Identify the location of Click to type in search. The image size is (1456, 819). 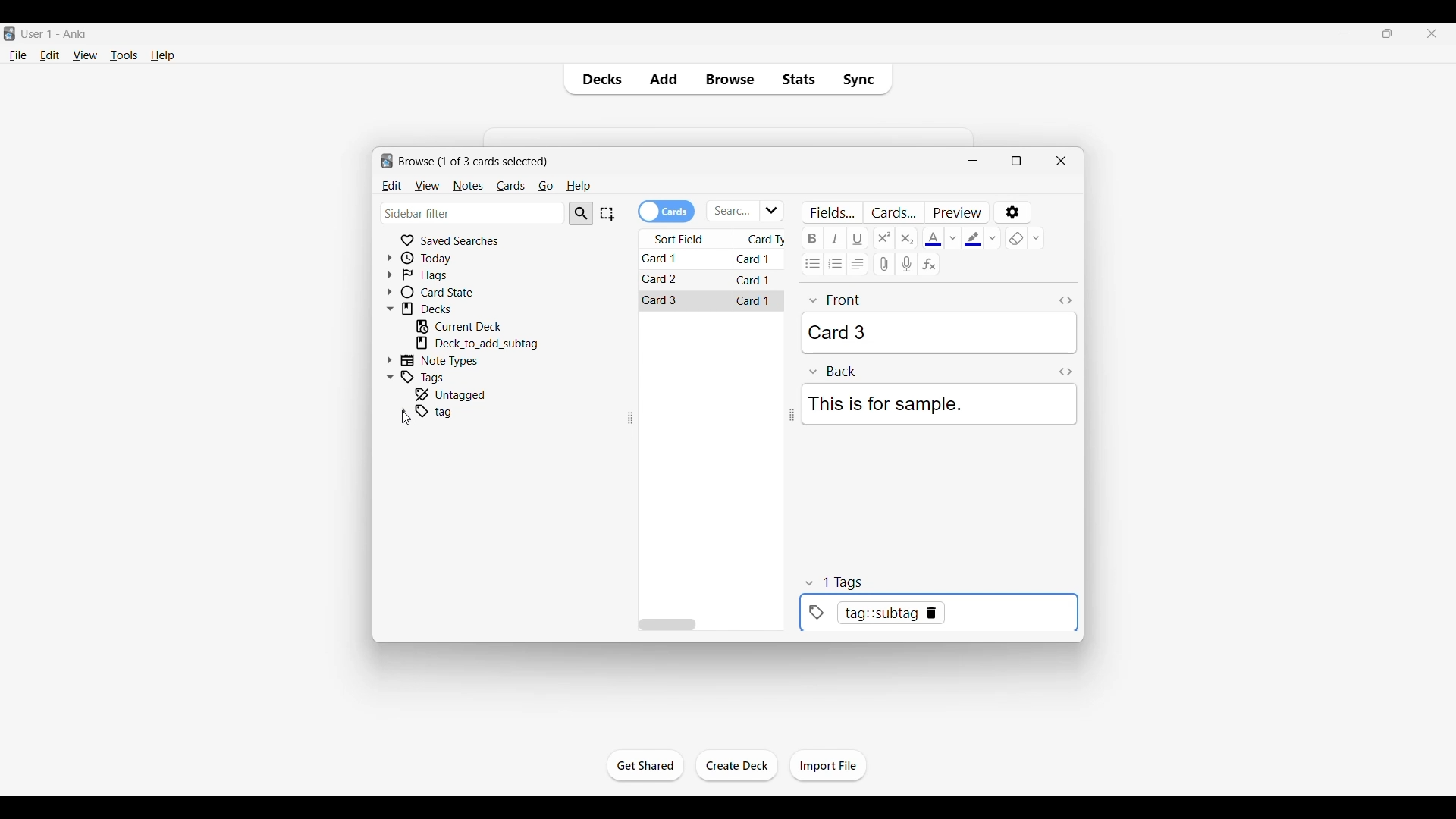
(733, 212).